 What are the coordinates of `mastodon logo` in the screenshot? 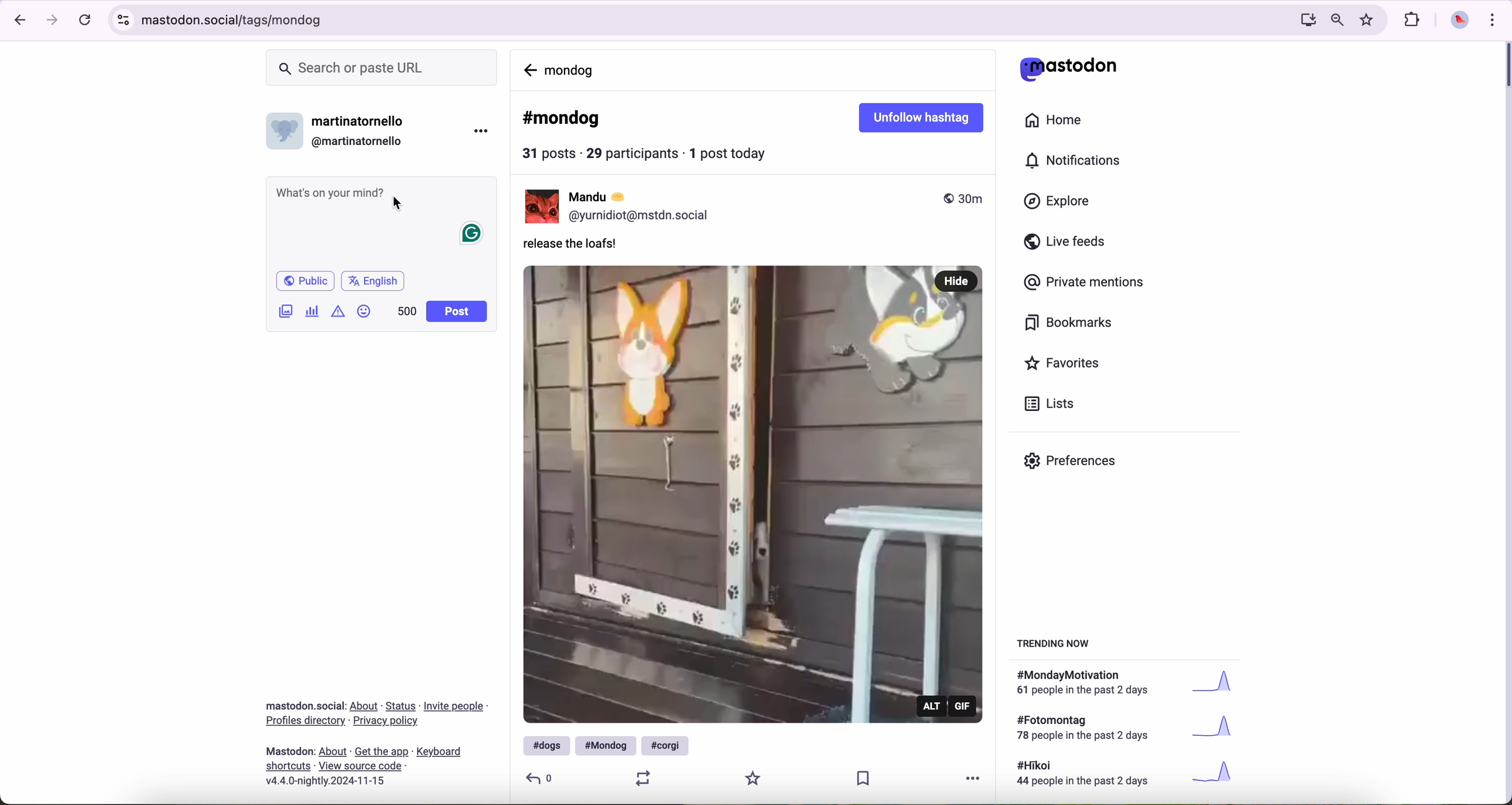 It's located at (1068, 68).